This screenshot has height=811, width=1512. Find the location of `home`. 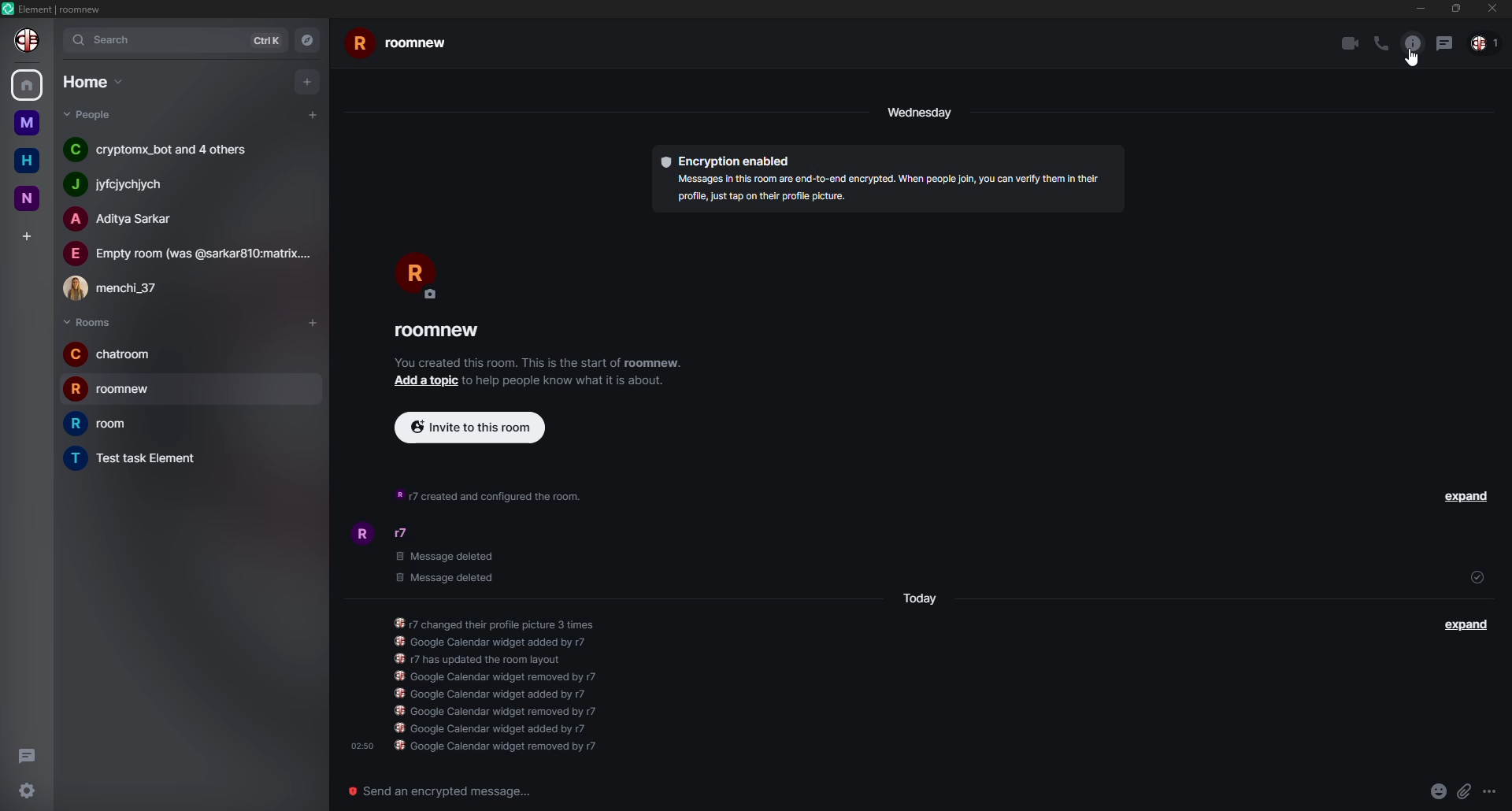

home is located at coordinates (91, 81).